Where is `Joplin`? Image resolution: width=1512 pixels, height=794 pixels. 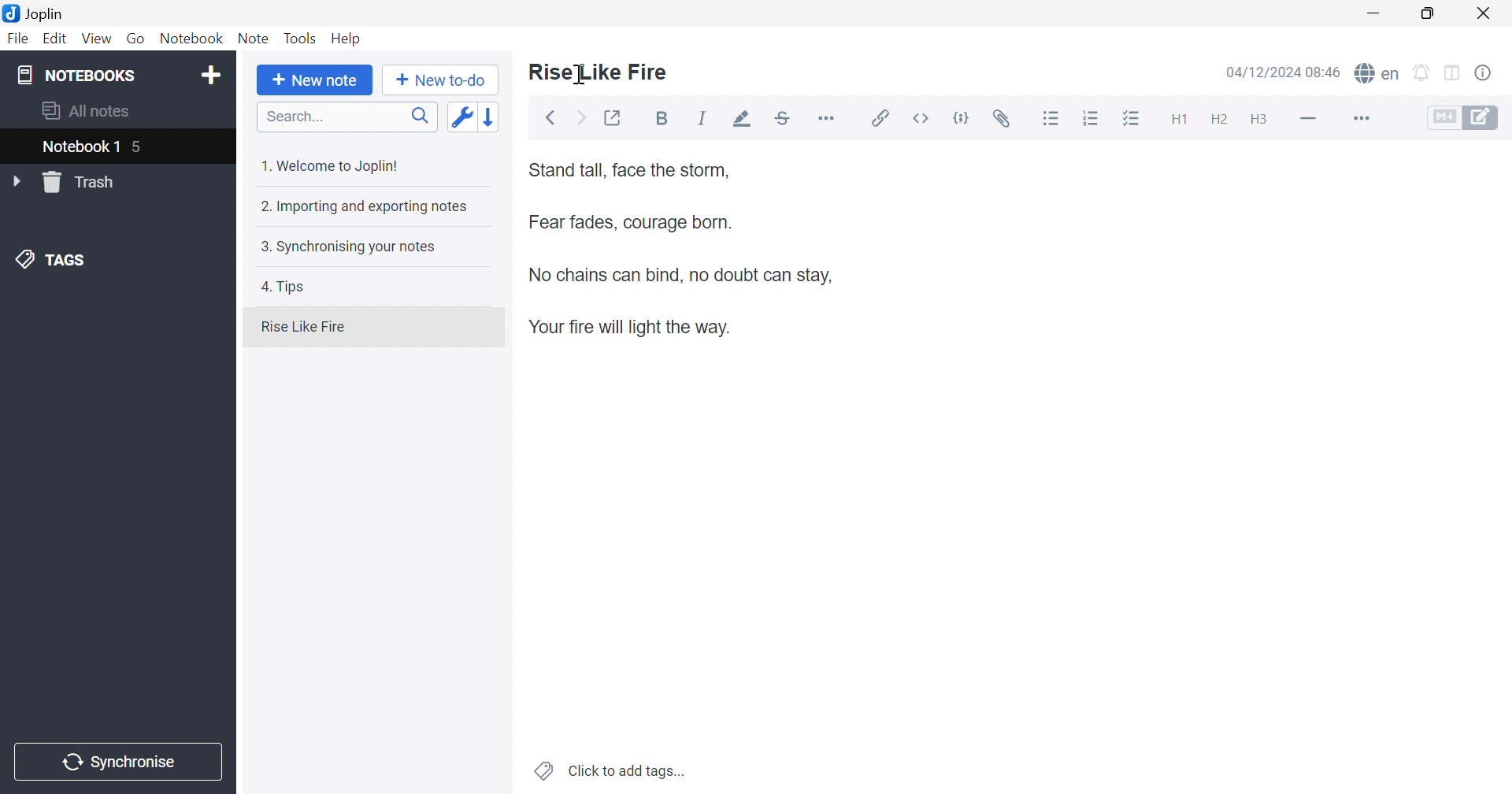 Joplin is located at coordinates (35, 13).